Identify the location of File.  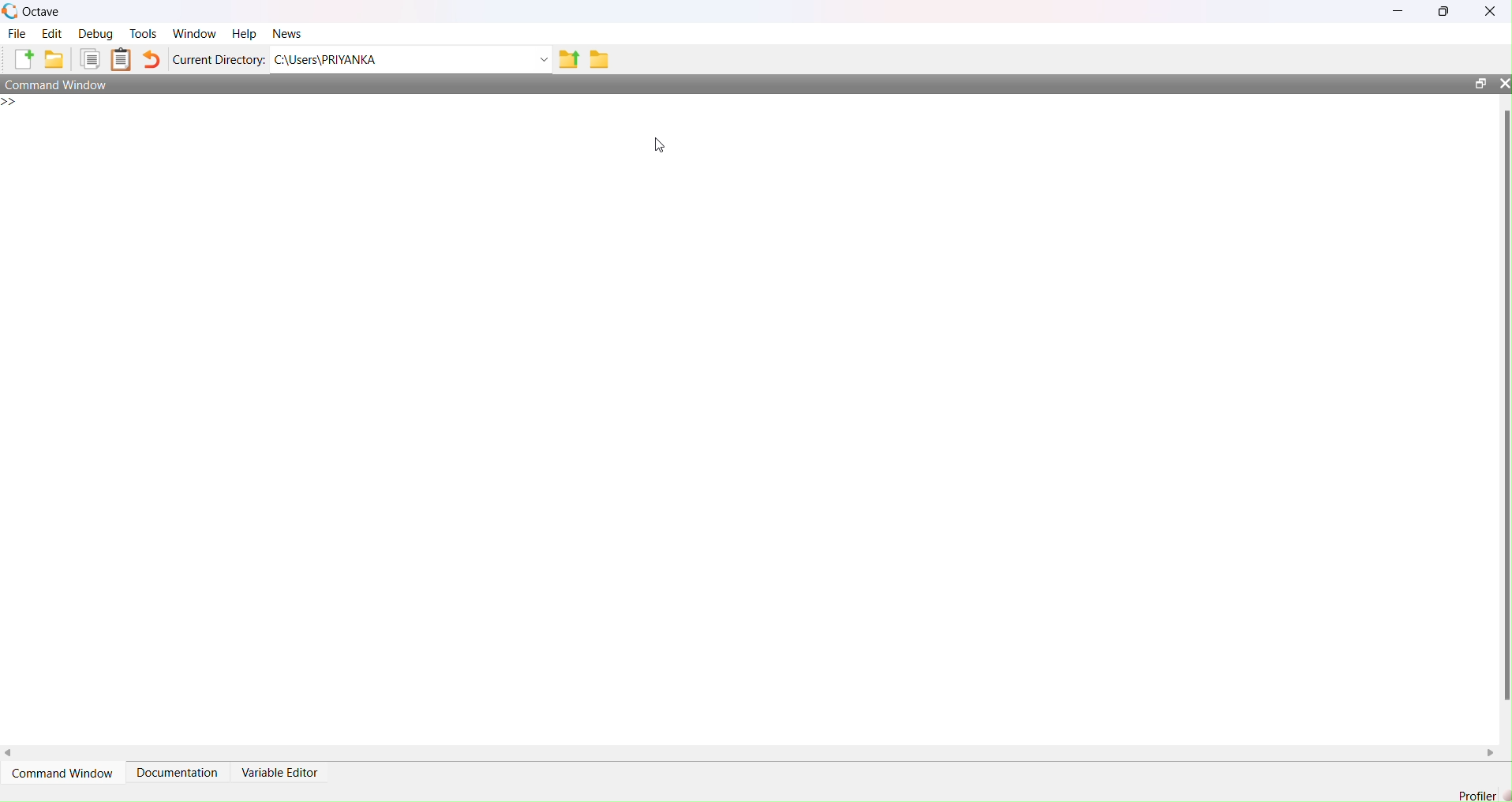
(20, 36).